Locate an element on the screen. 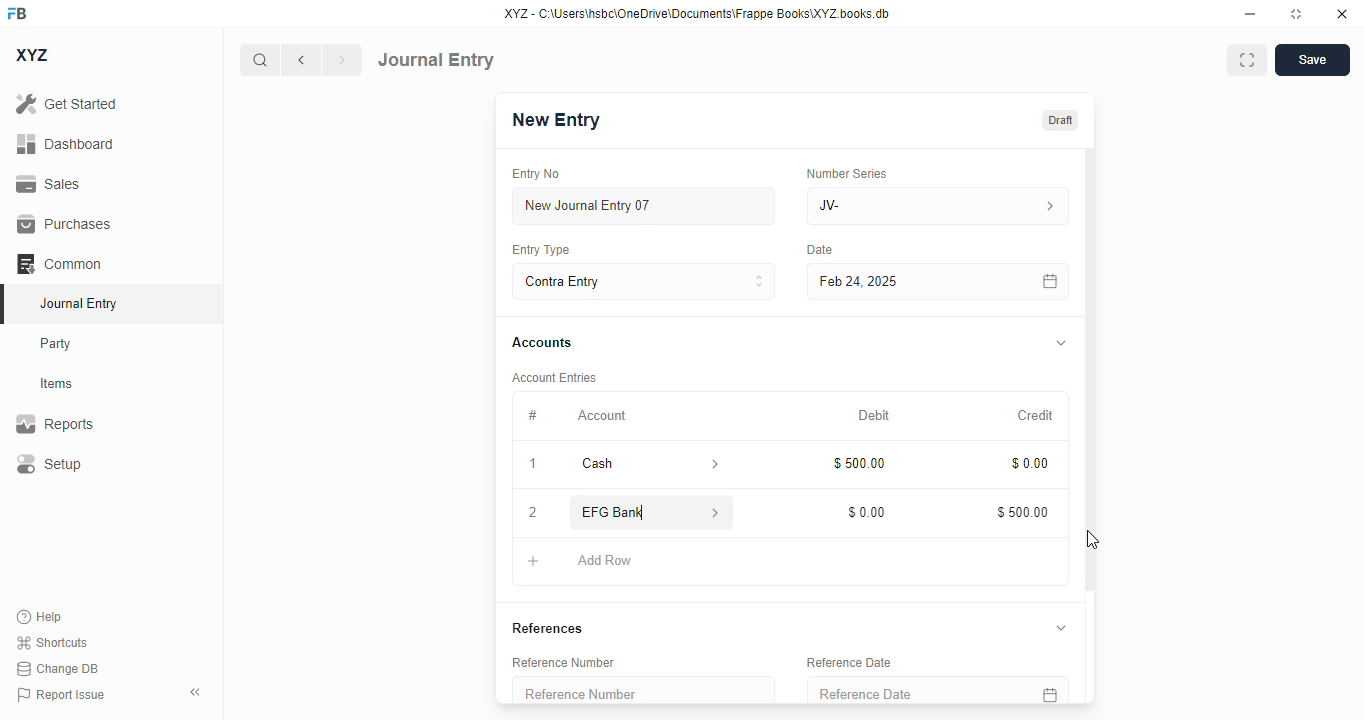 This screenshot has height=720, width=1364. sales is located at coordinates (48, 184).